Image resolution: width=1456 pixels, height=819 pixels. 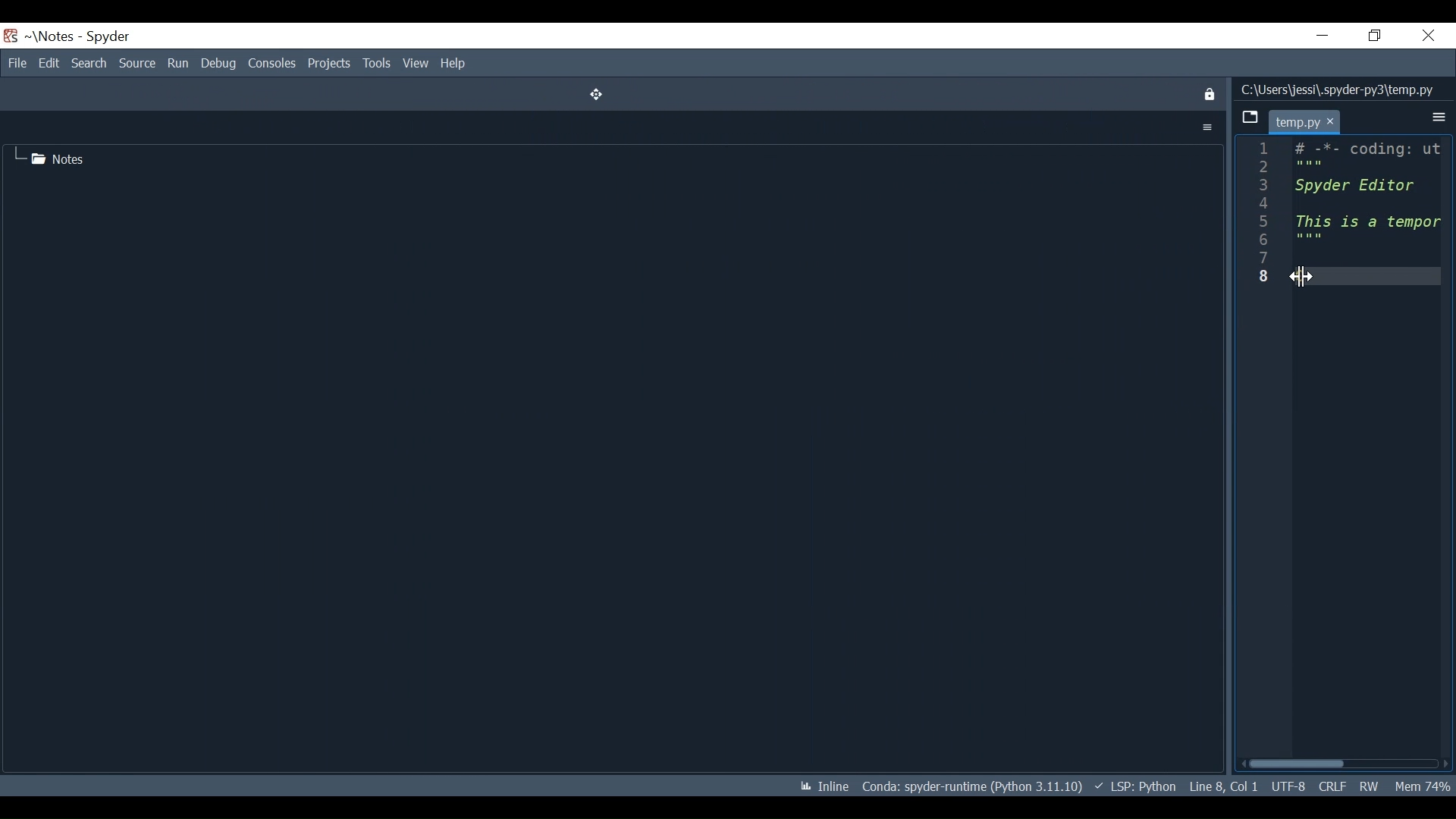 I want to click on RW, so click(x=1369, y=783).